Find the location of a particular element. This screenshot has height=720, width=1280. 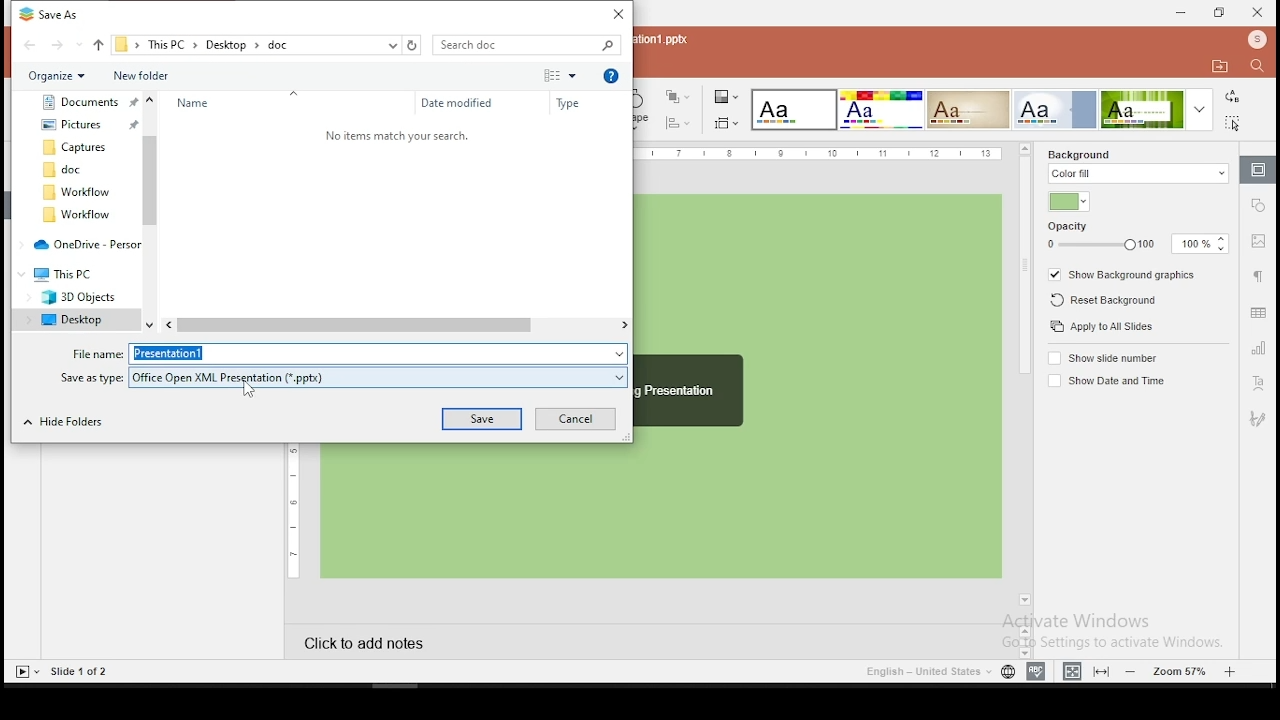

Captures is located at coordinates (79, 146).